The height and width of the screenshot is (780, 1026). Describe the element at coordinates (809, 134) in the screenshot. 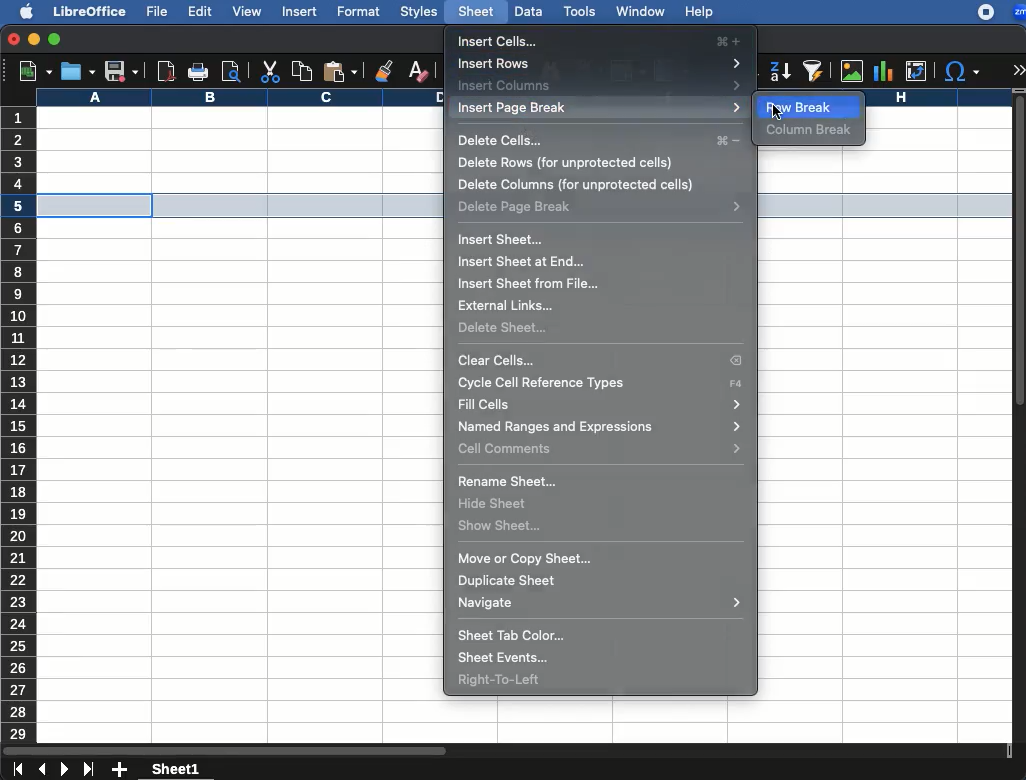

I see `column break` at that location.